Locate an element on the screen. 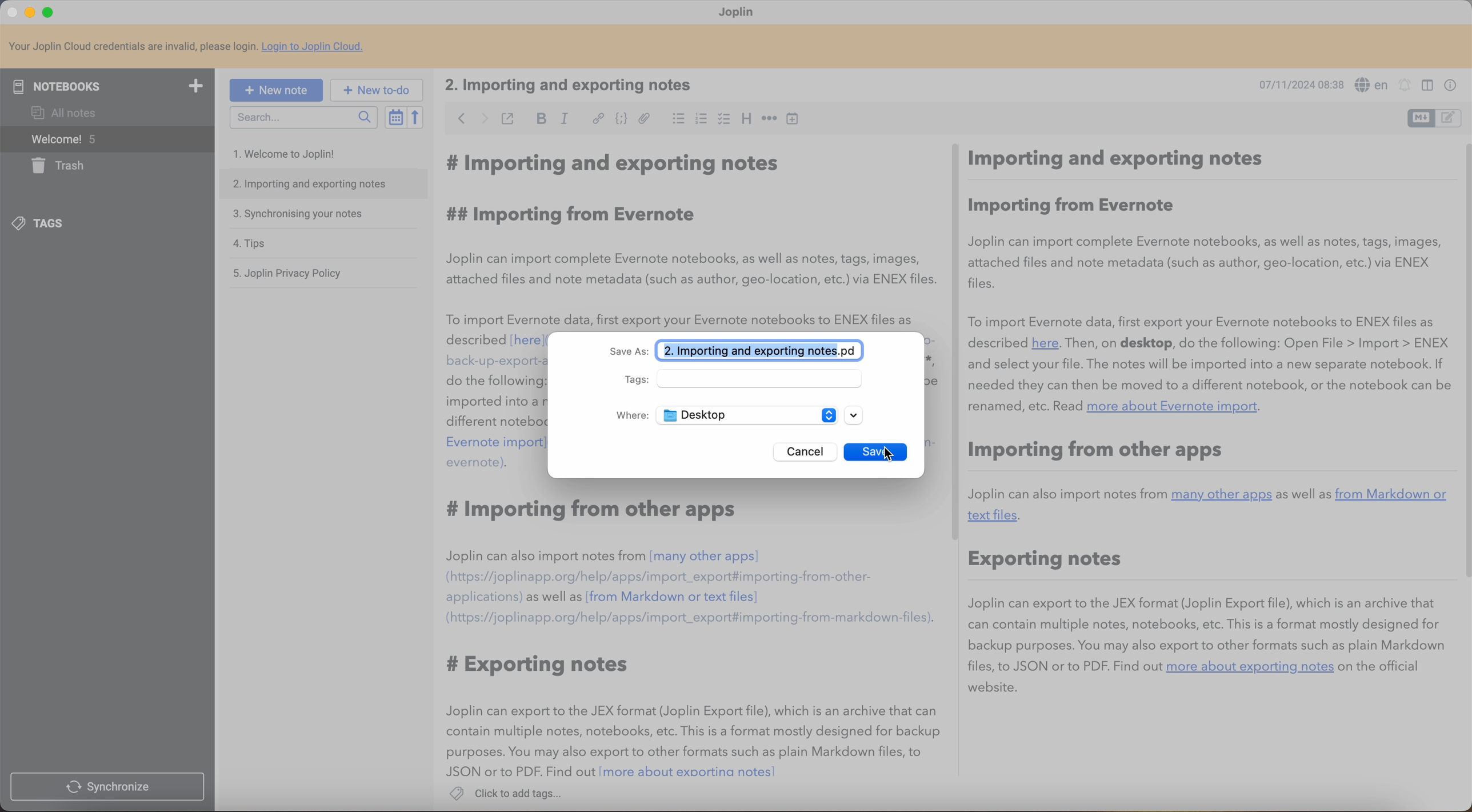 This screenshot has width=1472, height=812. spell checker is located at coordinates (1372, 83).